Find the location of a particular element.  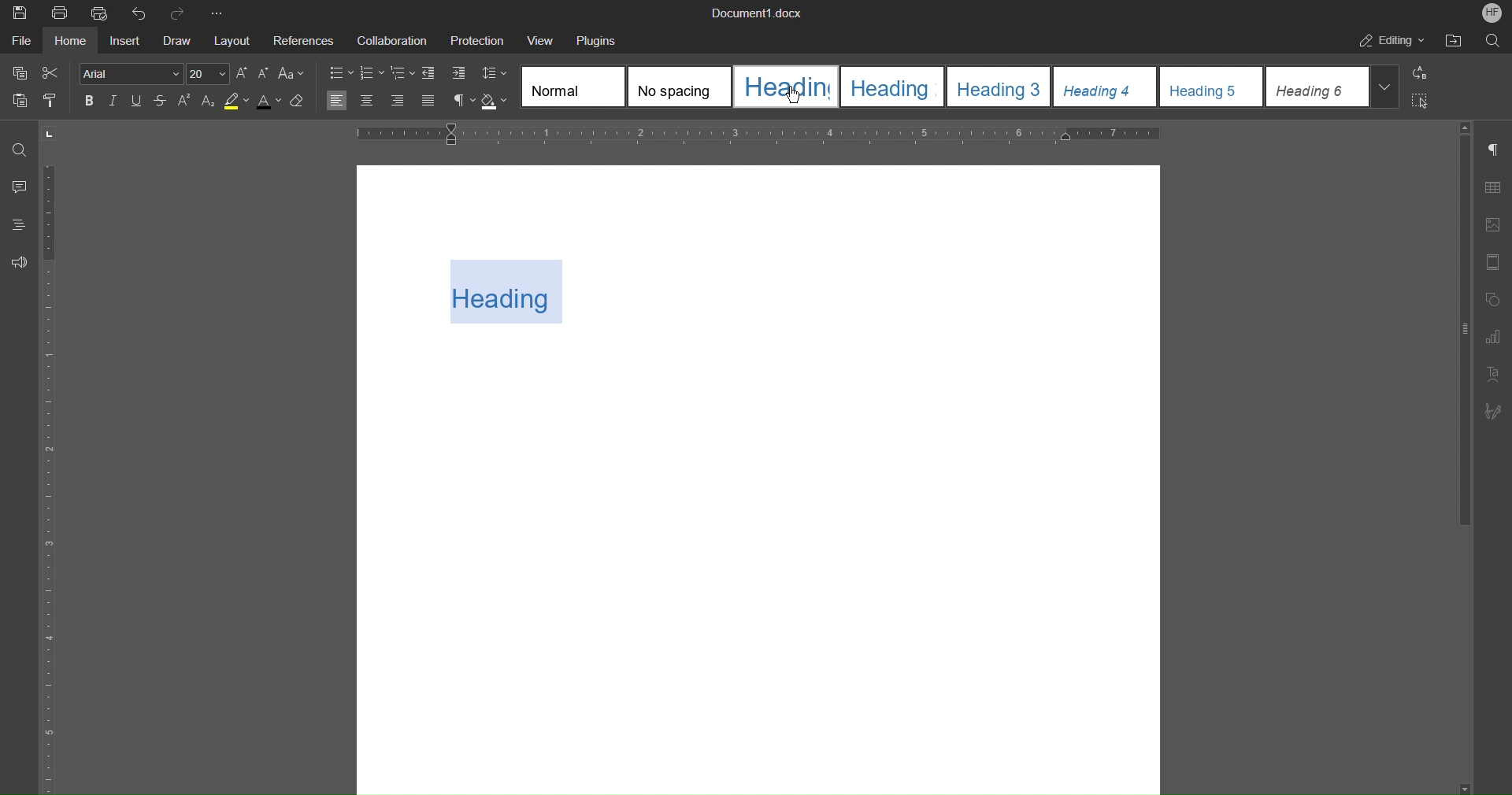

Underline is located at coordinates (137, 102).